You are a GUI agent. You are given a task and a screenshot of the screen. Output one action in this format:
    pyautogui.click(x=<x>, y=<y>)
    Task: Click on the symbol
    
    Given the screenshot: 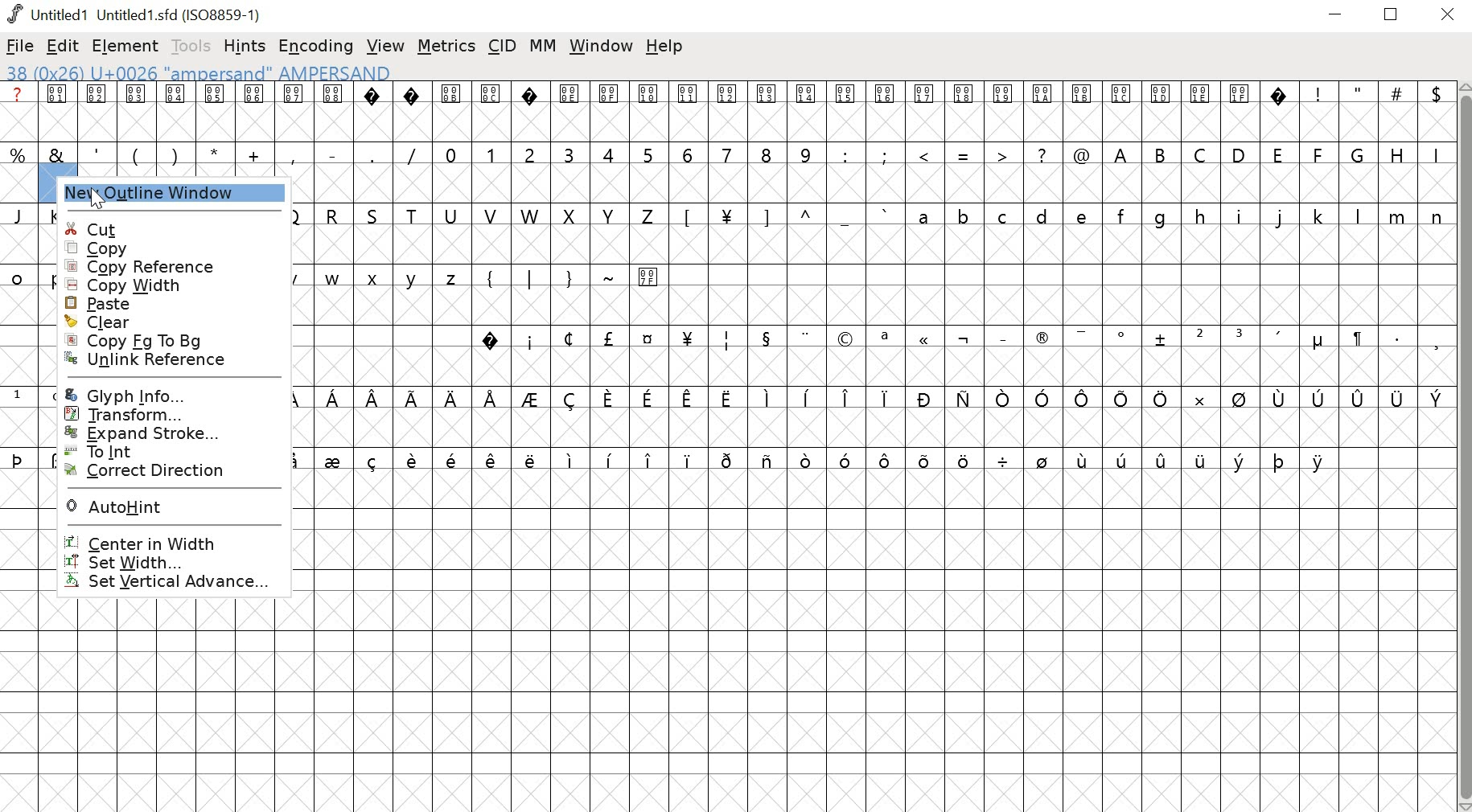 What is the action you would take?
    pyautogui.click(x=296, y=459)
    